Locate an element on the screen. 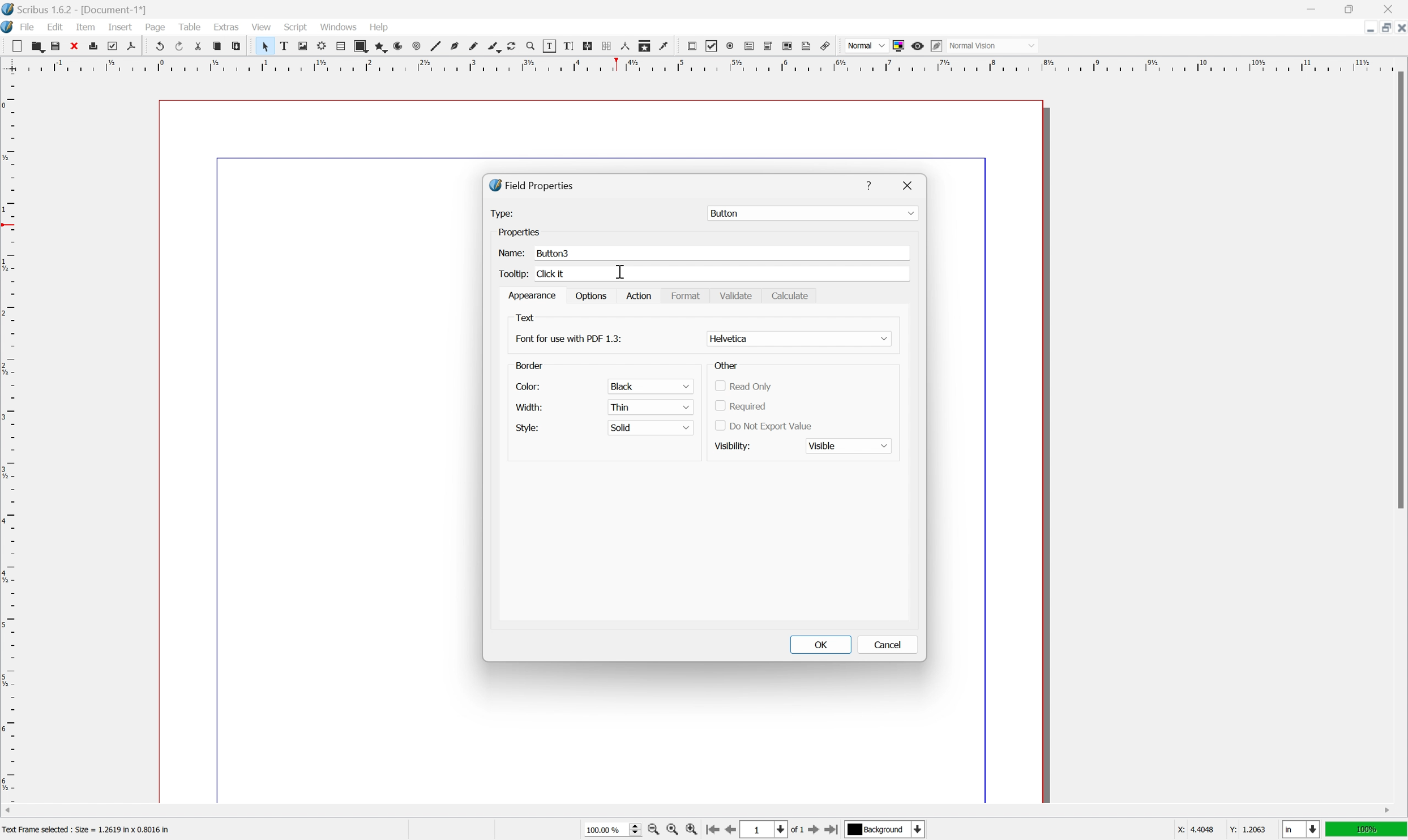 The width and height of the screenshot is (1408, 840). restore down is located at coordinates (1354, 8).